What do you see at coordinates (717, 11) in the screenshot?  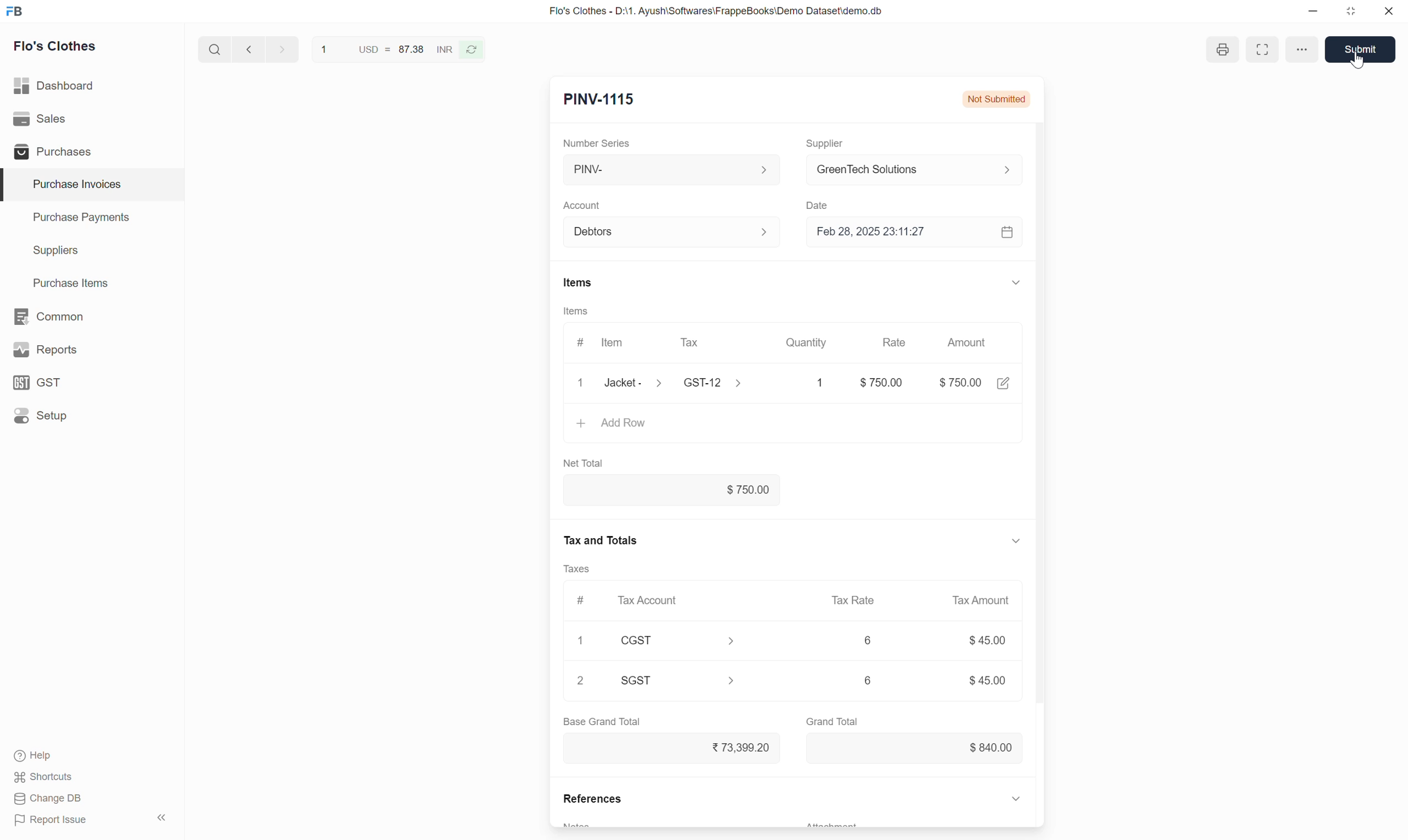 I see `Flo's Clothes - D:\1. Ayush\Softwares\FrappeBooks\Demo Dataset\demo.db` at bounding box center [717, 11].